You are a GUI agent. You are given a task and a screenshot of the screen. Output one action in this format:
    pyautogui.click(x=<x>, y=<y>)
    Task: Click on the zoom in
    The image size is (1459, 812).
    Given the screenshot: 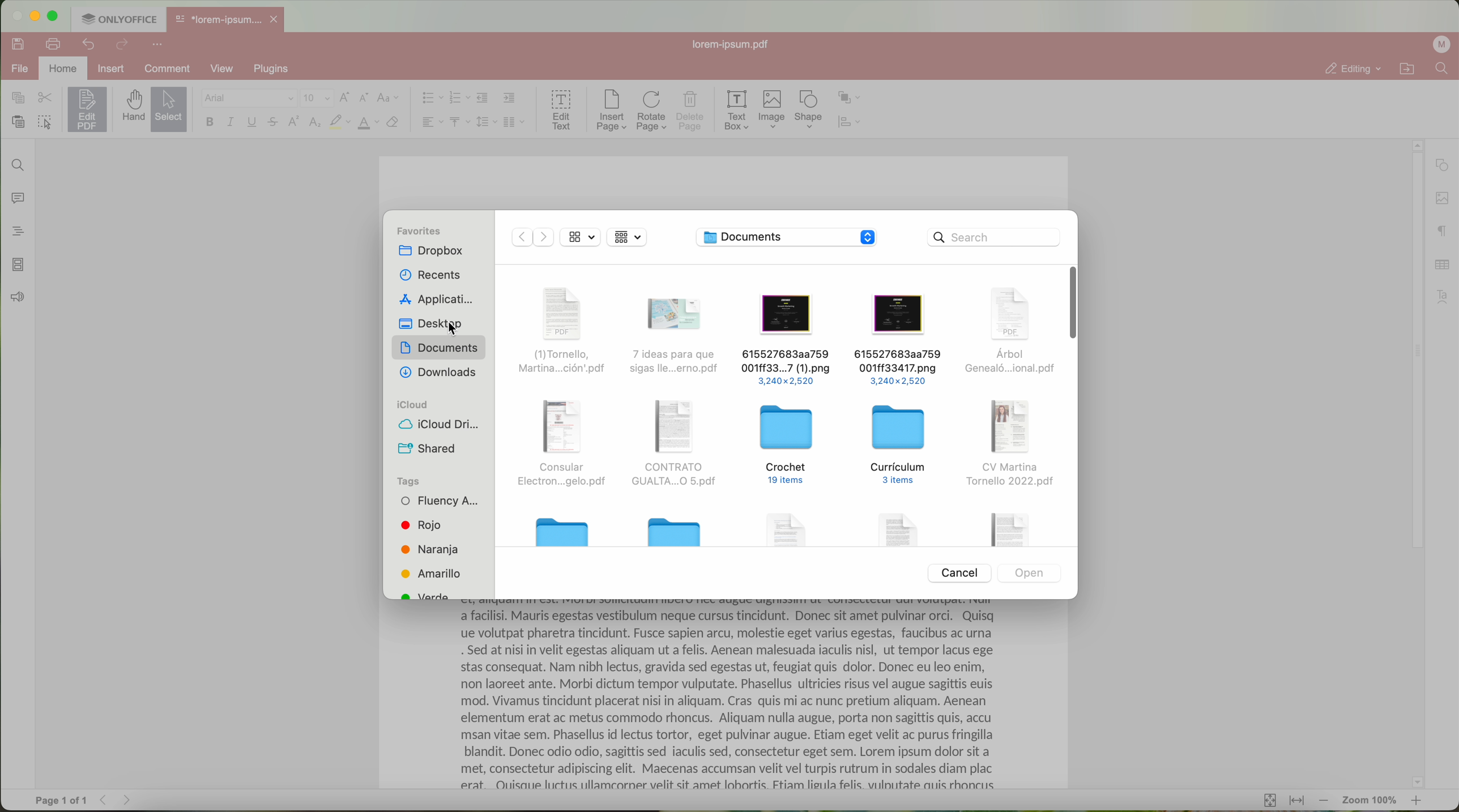 What is the action you would take?
    pyautogui.click(x=1418, y=803)
    